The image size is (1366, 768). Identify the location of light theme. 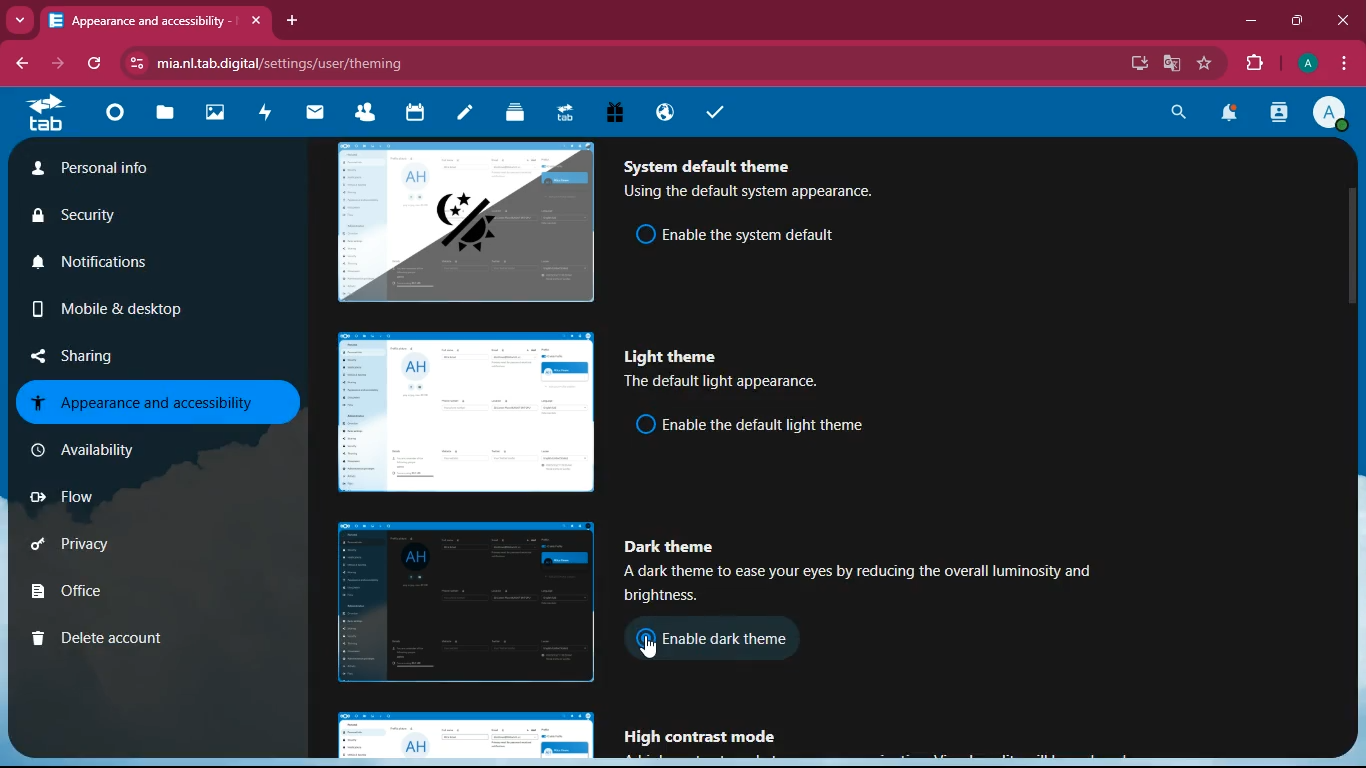
(675, 356).